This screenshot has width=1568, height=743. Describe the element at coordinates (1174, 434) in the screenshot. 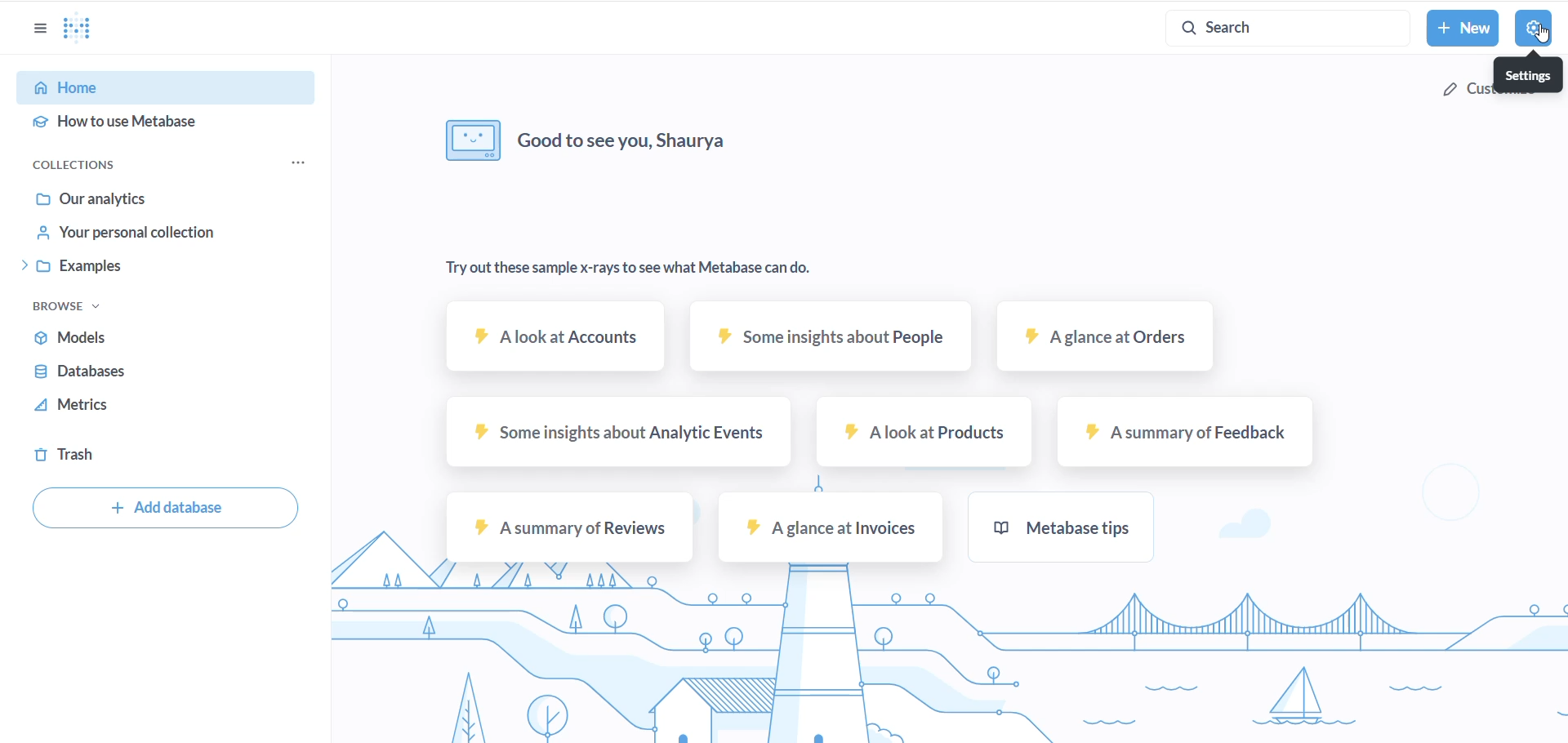

I see `A summary of feedback sample` at that location.